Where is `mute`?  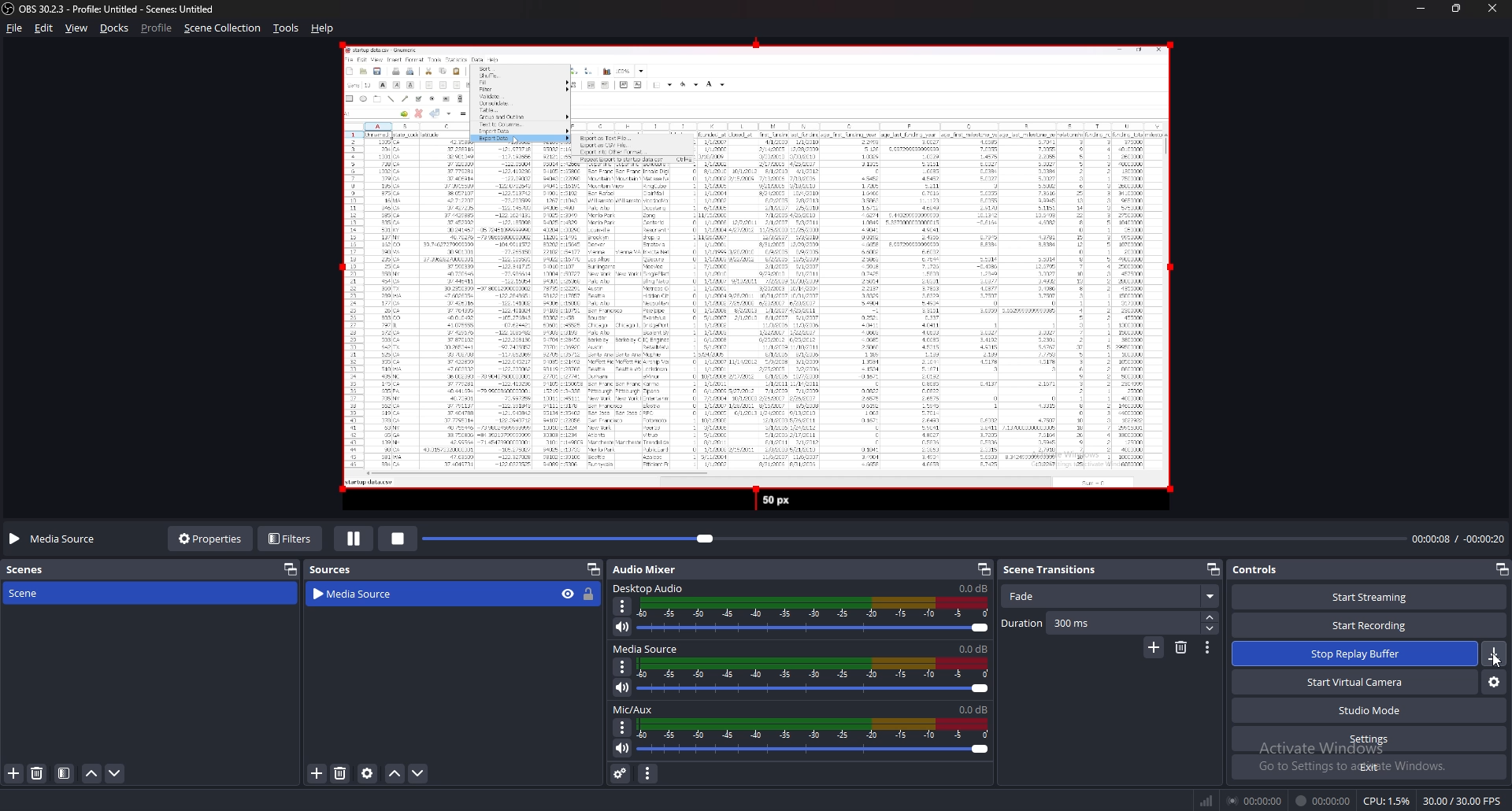 mute is located at coordinates (623, 687).